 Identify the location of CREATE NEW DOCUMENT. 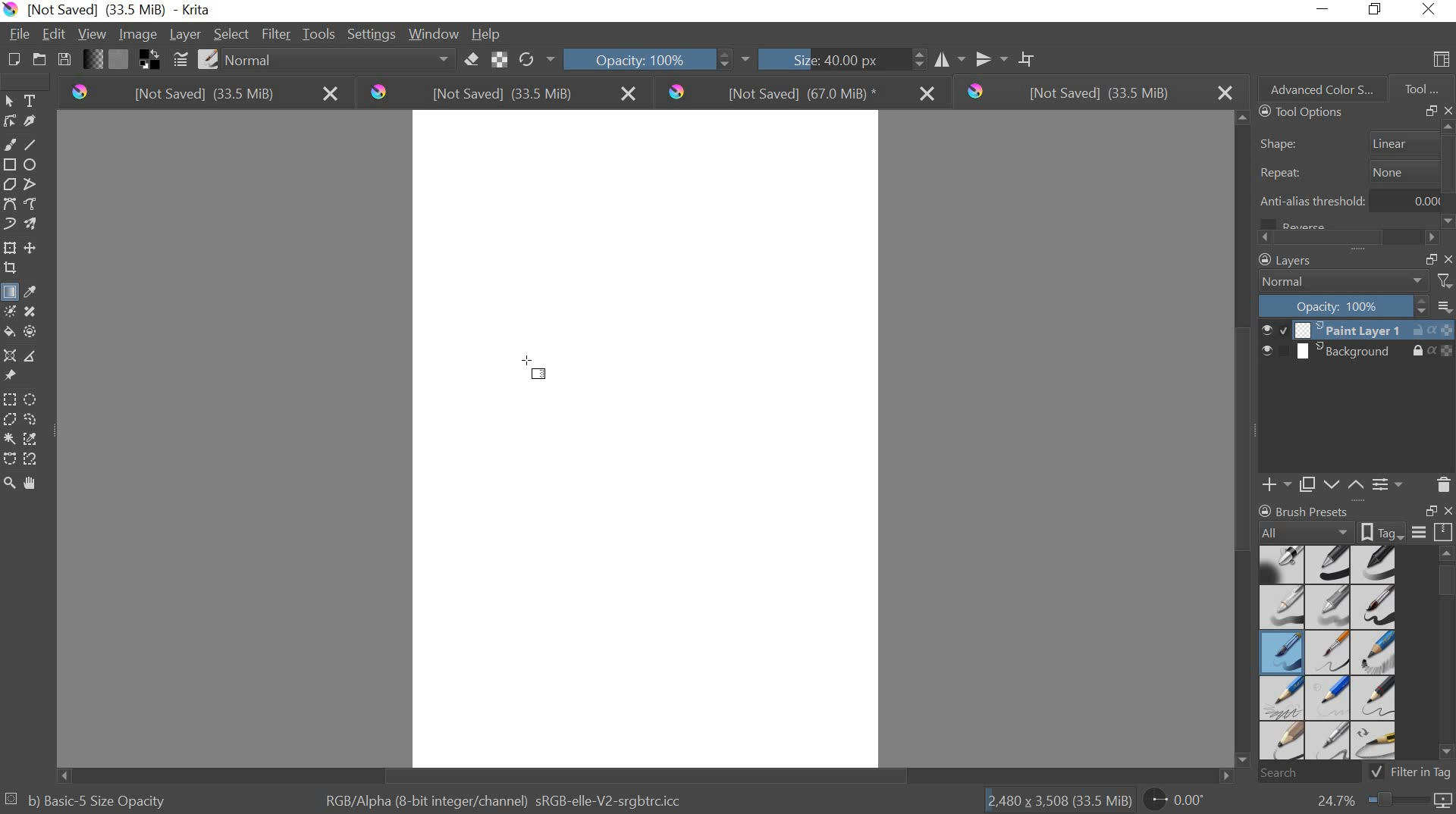
(10, 60).